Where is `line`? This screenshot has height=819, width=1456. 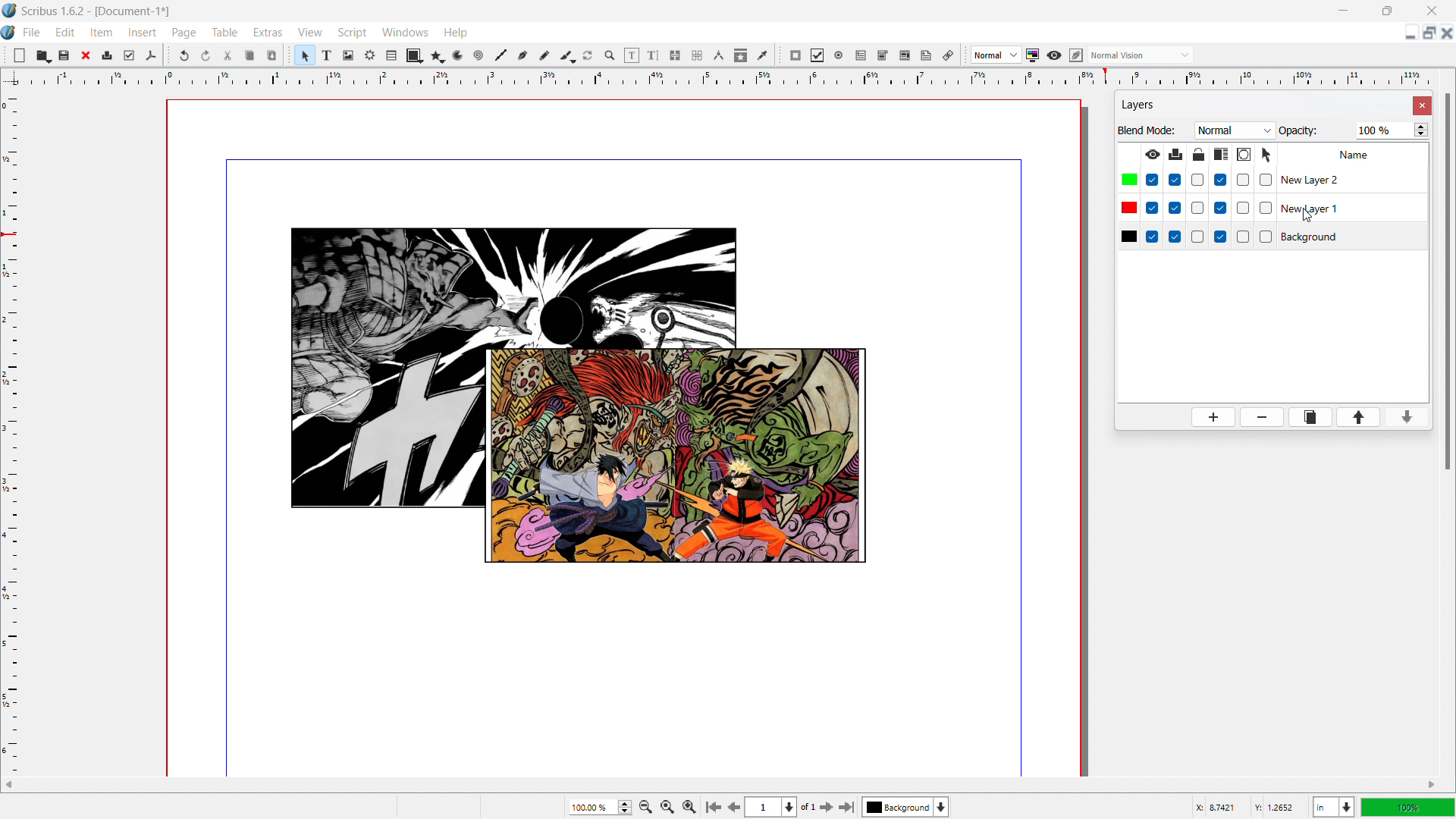
line is located at coordinates (501, 55).